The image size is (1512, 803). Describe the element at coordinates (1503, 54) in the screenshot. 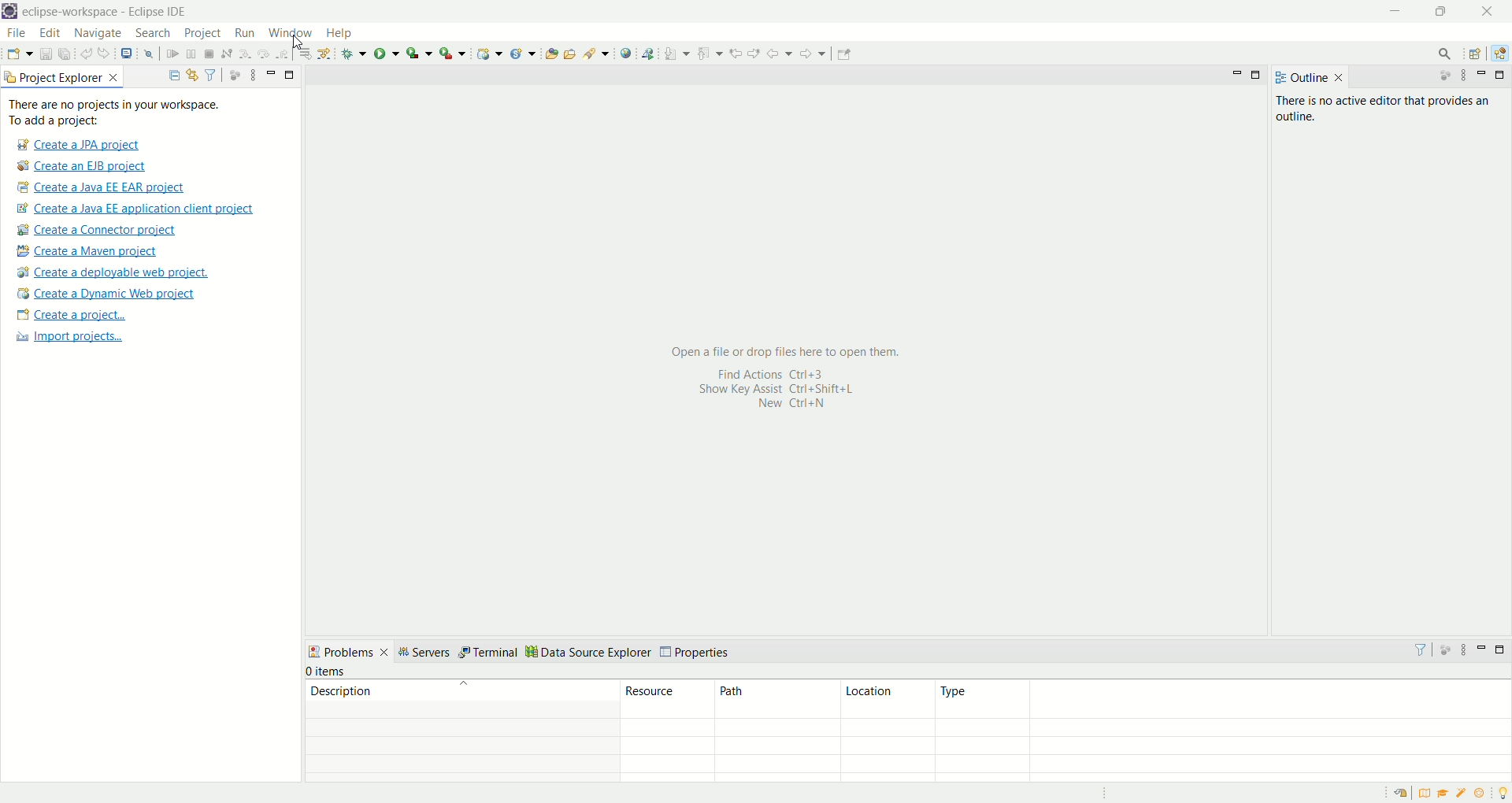

I see `Java EE` at that location.